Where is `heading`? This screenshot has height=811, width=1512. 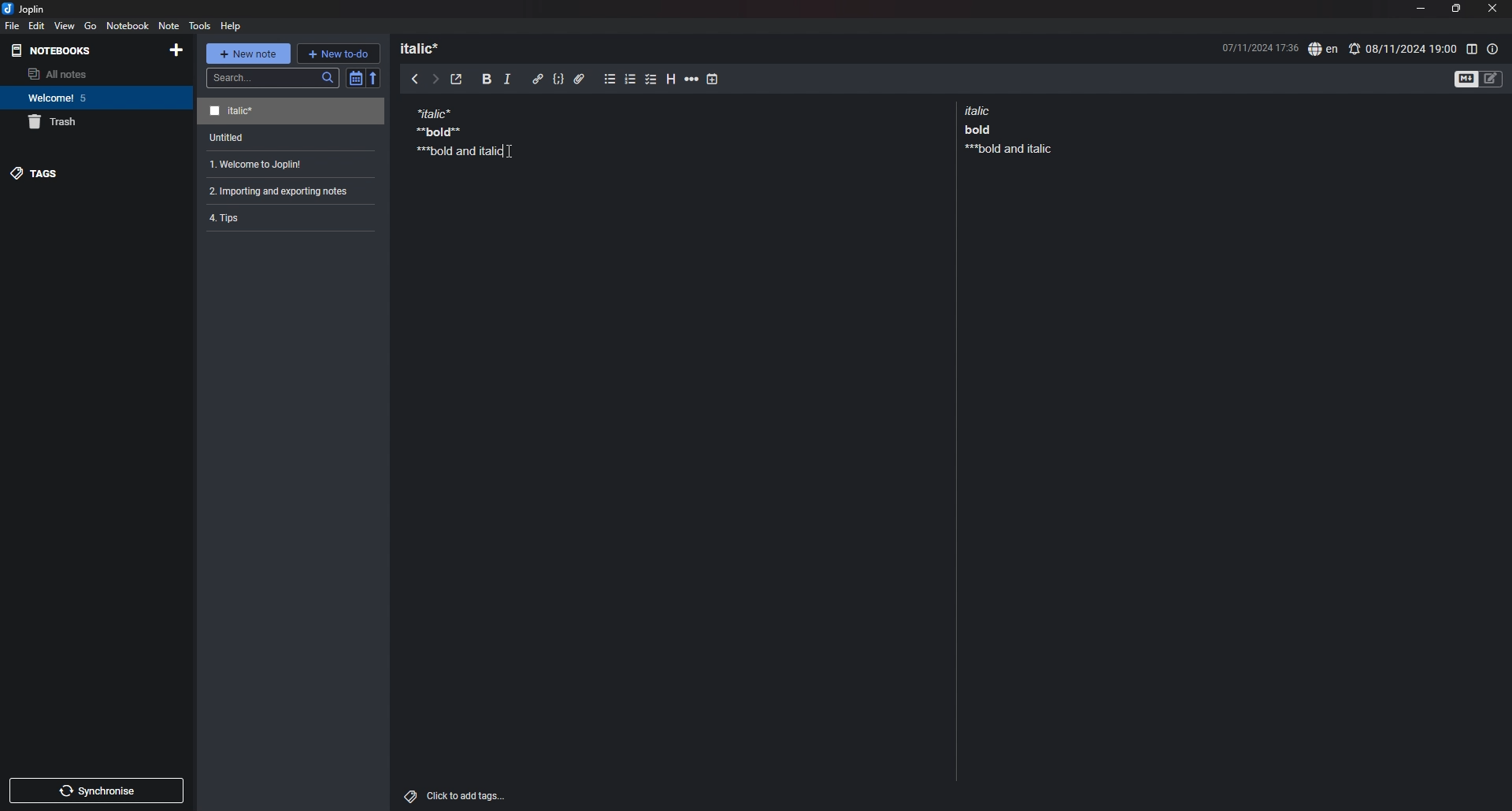 heading is located at coordinates (427, 48).